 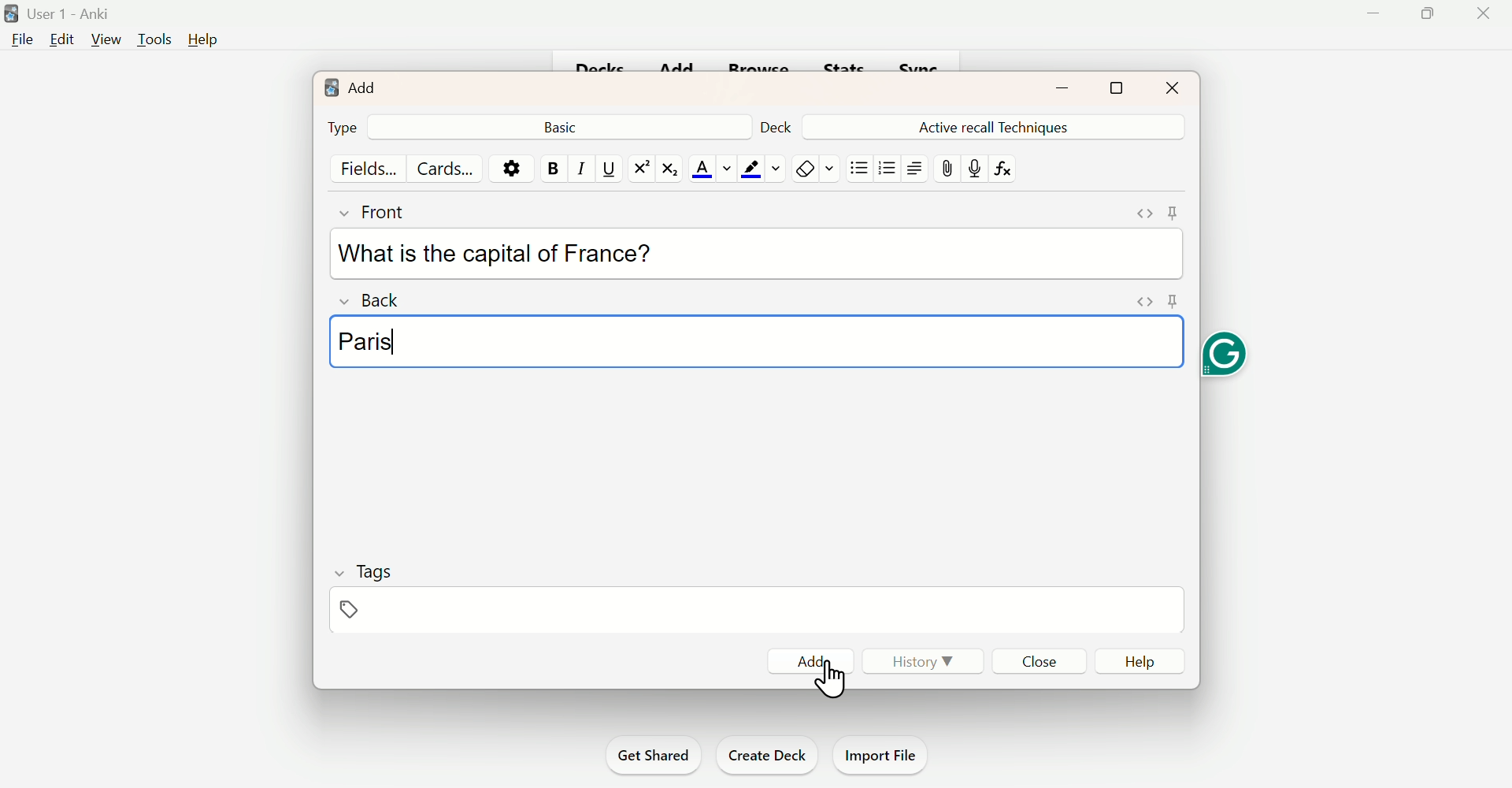 What do you see at coordinates (1014, 174) in the screenshot?
I see `fx` at bounding box center [1014, 174].